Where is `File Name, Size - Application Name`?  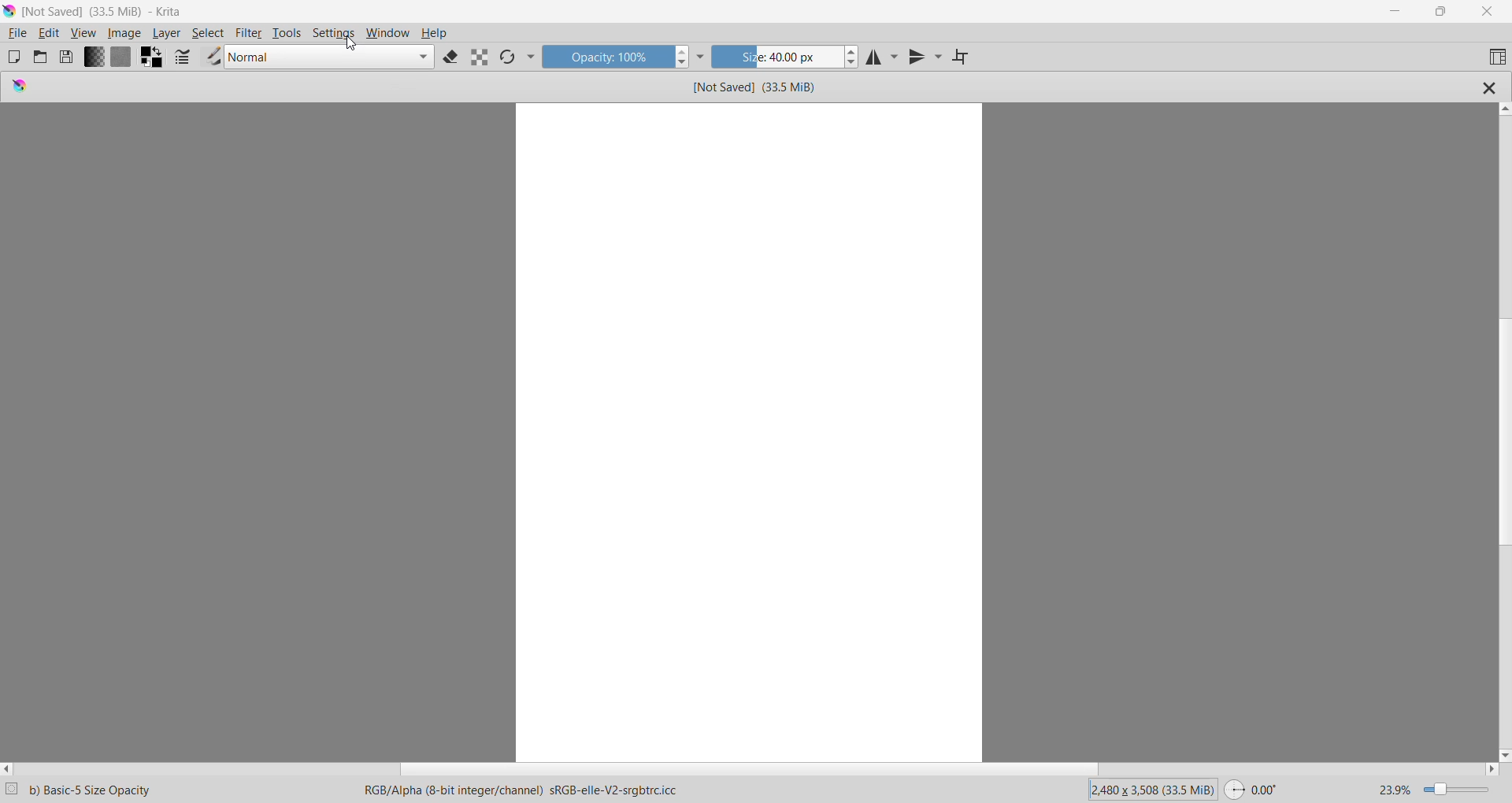
File Name, Size - Application Name is located at coordinates (106, 11).